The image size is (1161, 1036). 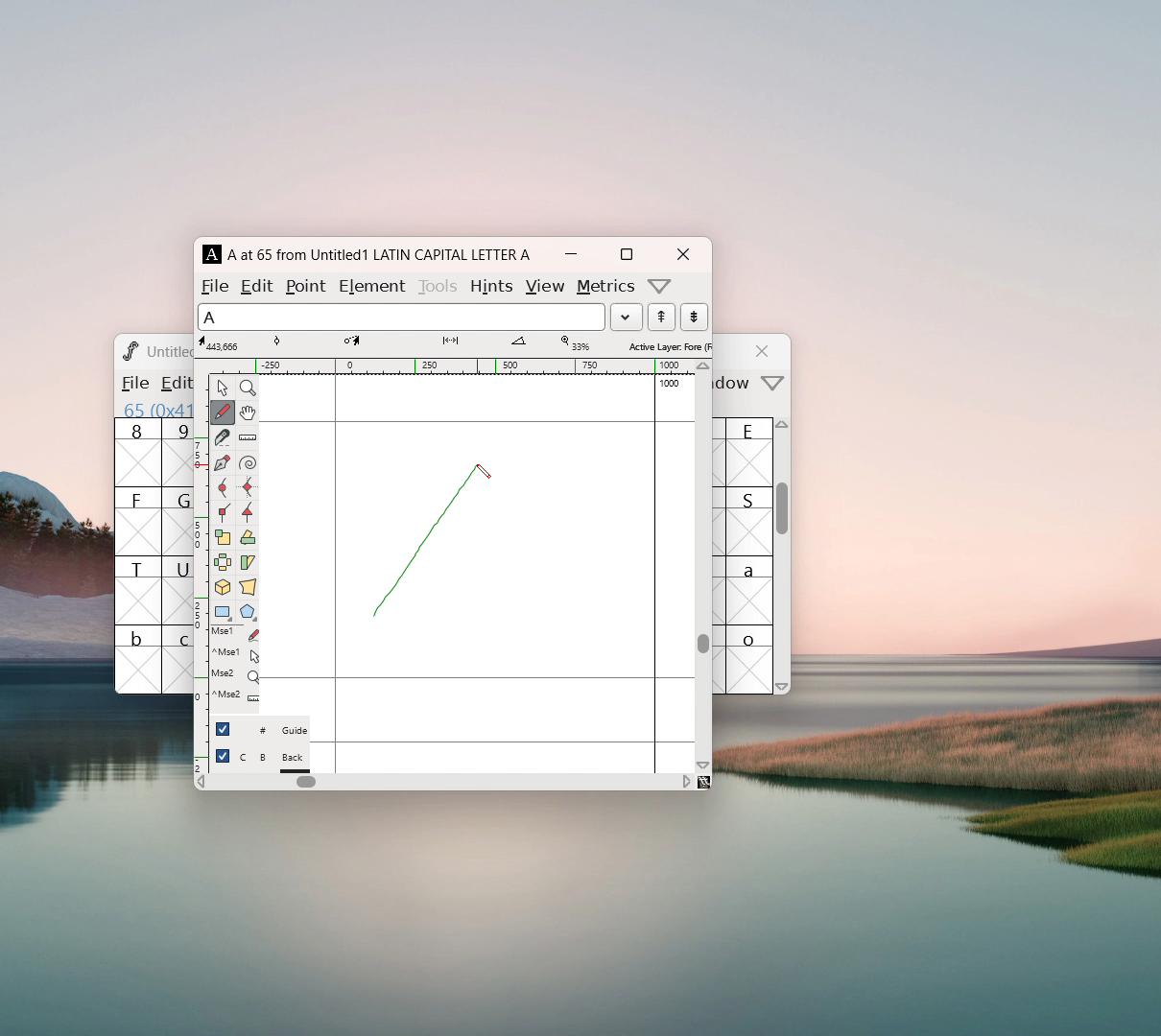 What do you see at coordinates (201, 784) in the screenshot?
I see `scroll left` at bounding box center [201, 784].